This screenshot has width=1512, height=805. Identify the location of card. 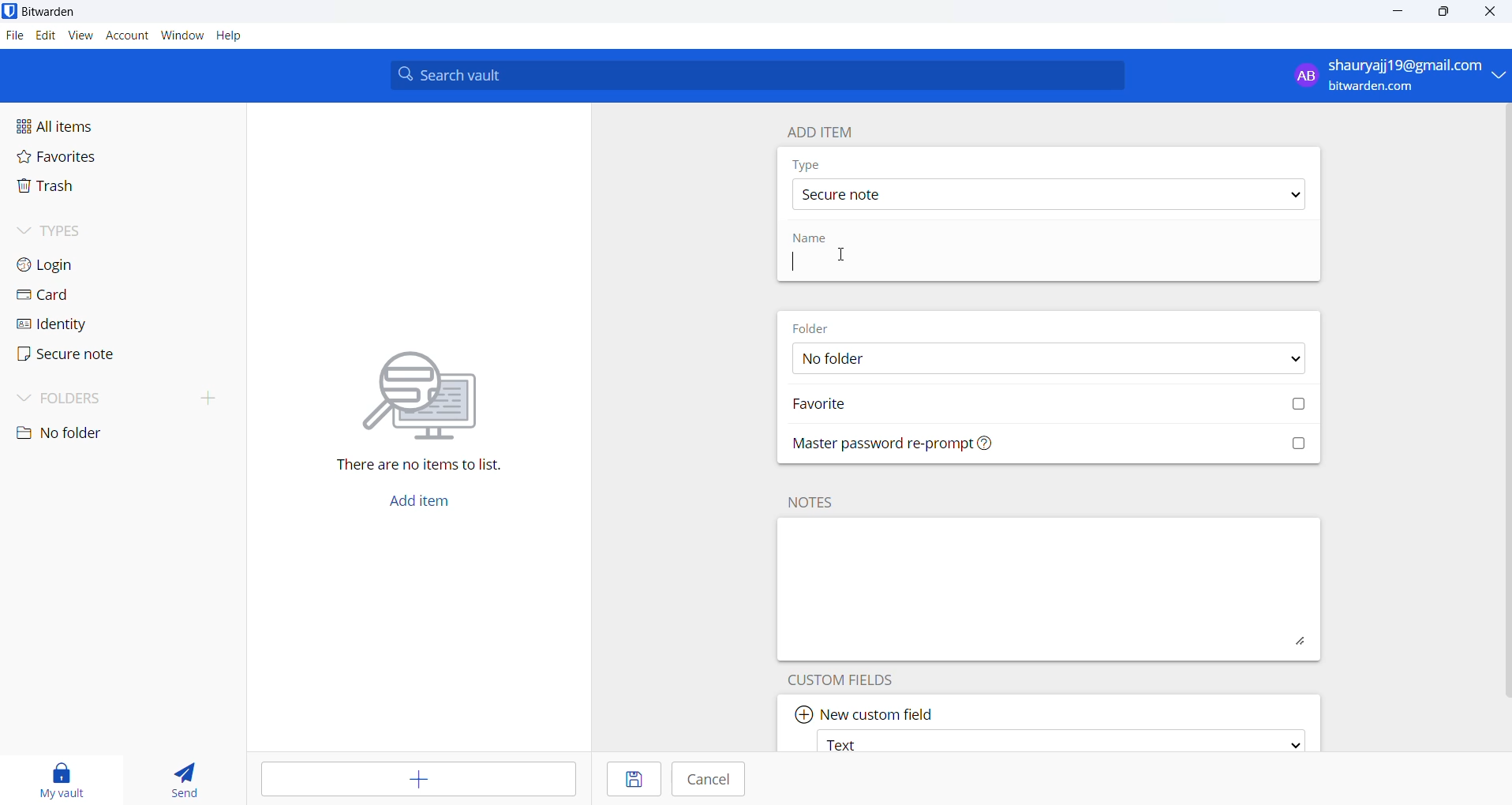
(83, 295).